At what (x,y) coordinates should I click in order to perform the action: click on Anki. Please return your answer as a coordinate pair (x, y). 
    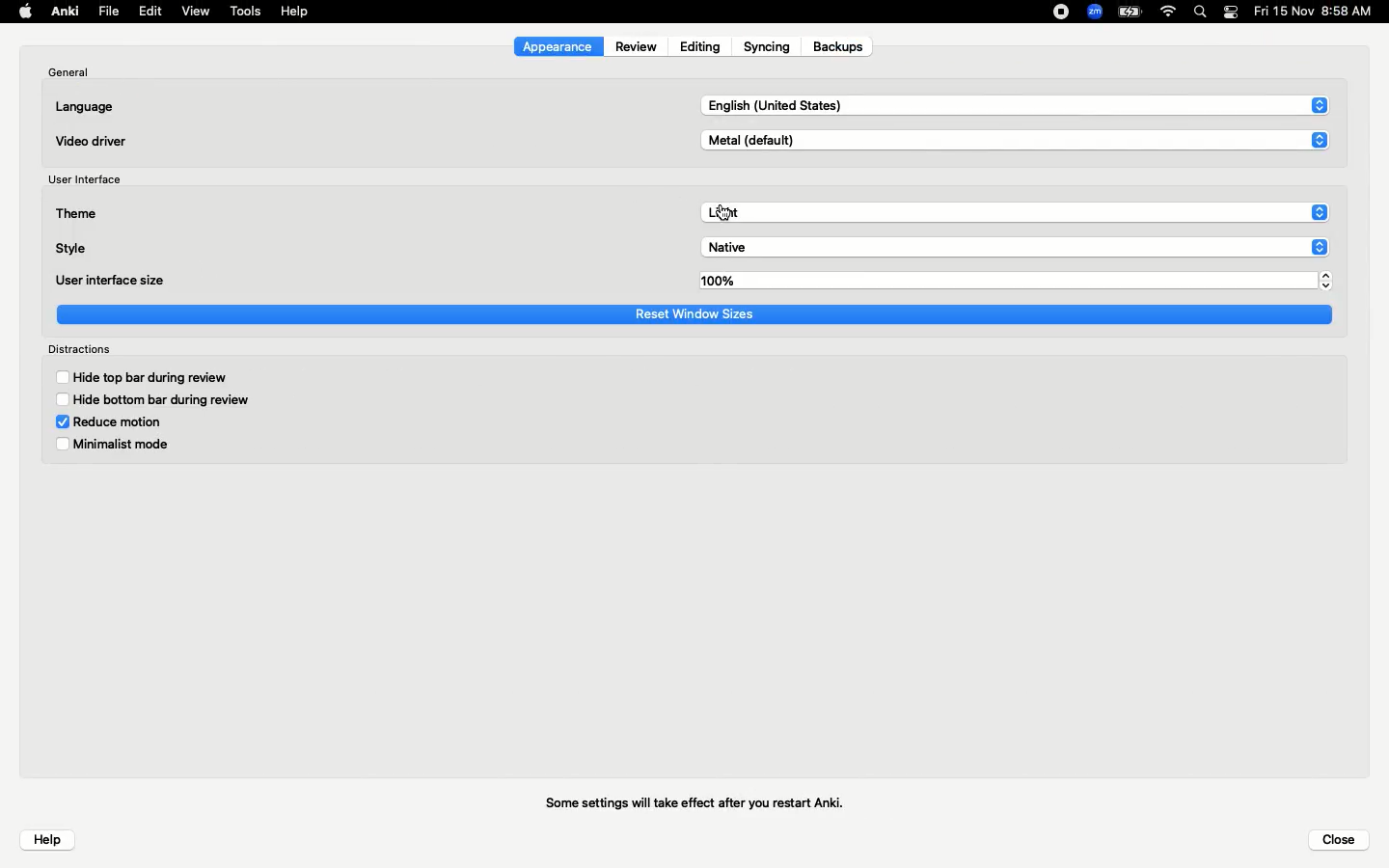
    Looking at the image, I should click on (64, 10).